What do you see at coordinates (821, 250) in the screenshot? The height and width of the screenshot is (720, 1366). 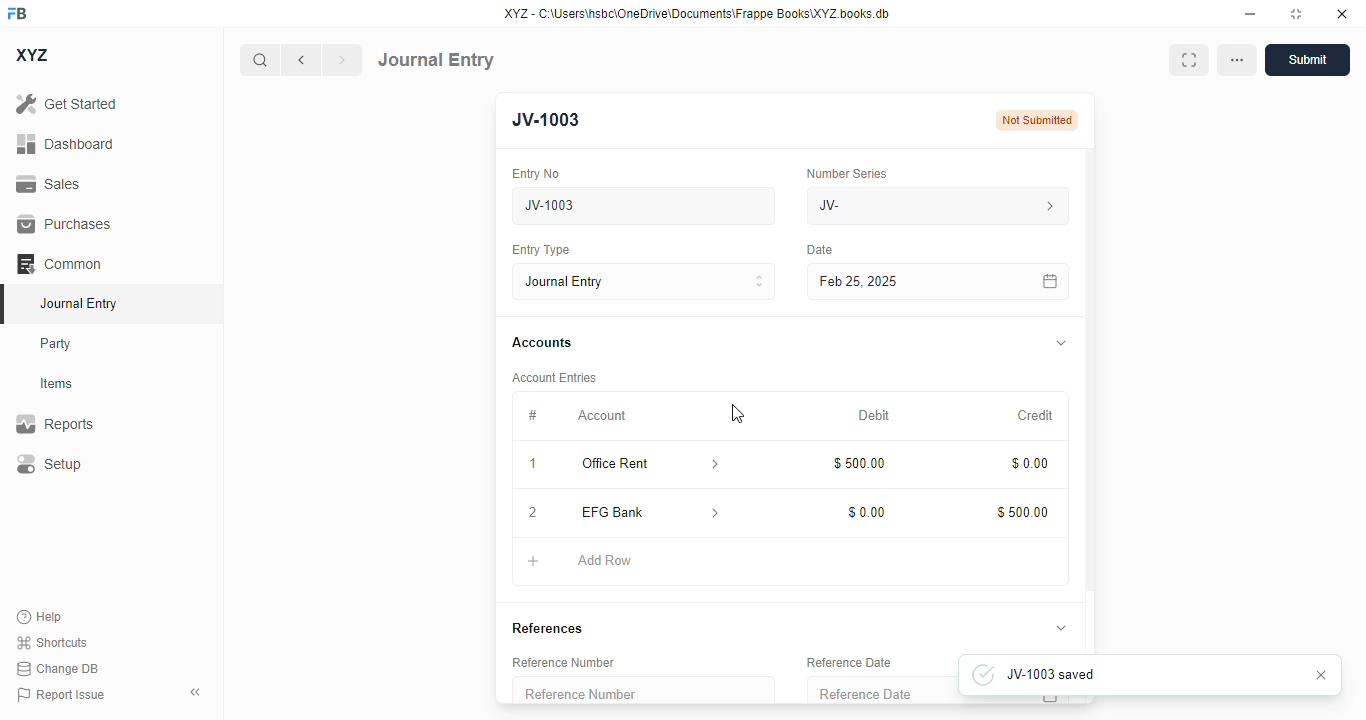 I see `date` at bounding box center [821, 250].